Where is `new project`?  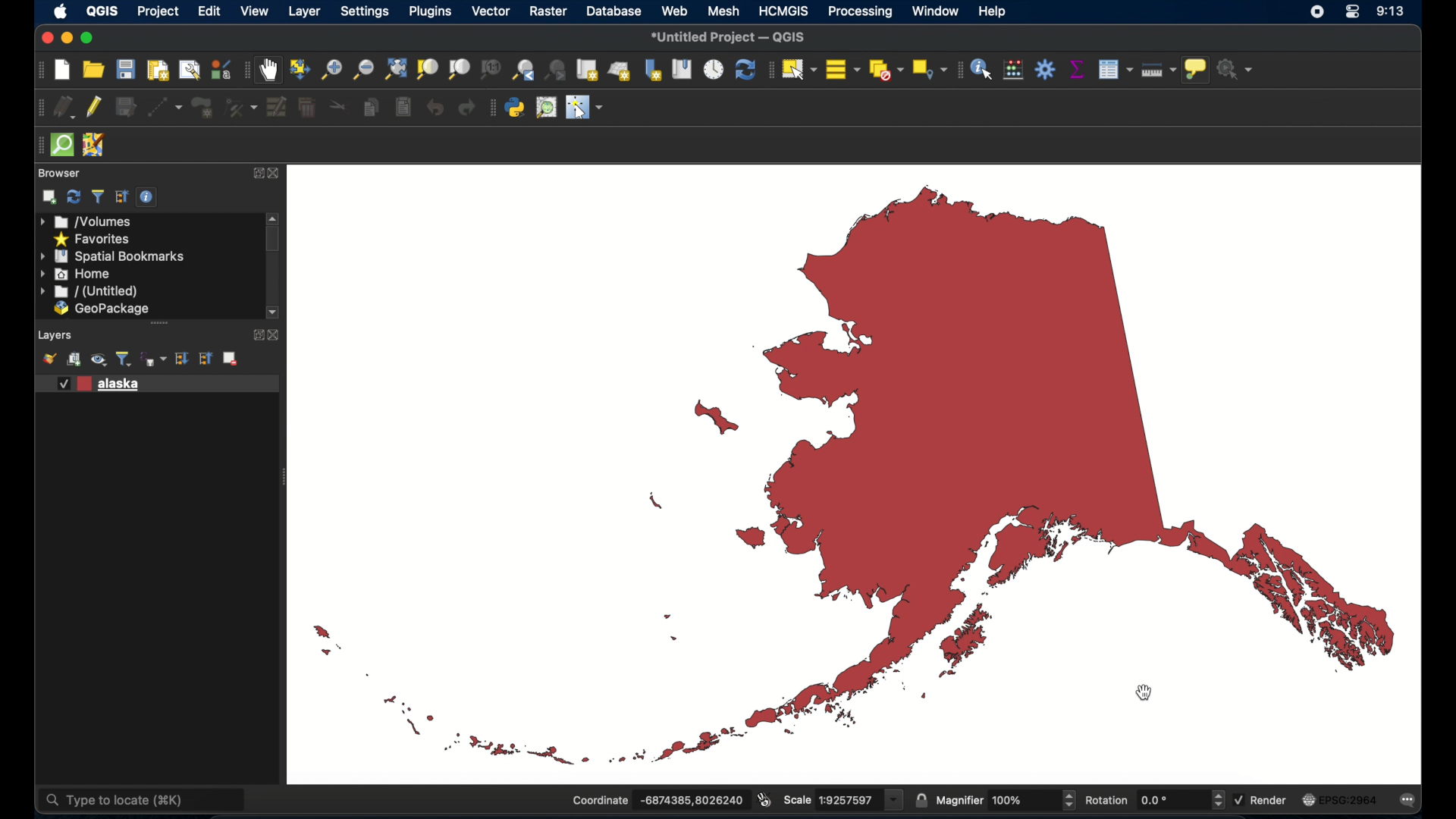
new project is located at coordinates (61, 70).